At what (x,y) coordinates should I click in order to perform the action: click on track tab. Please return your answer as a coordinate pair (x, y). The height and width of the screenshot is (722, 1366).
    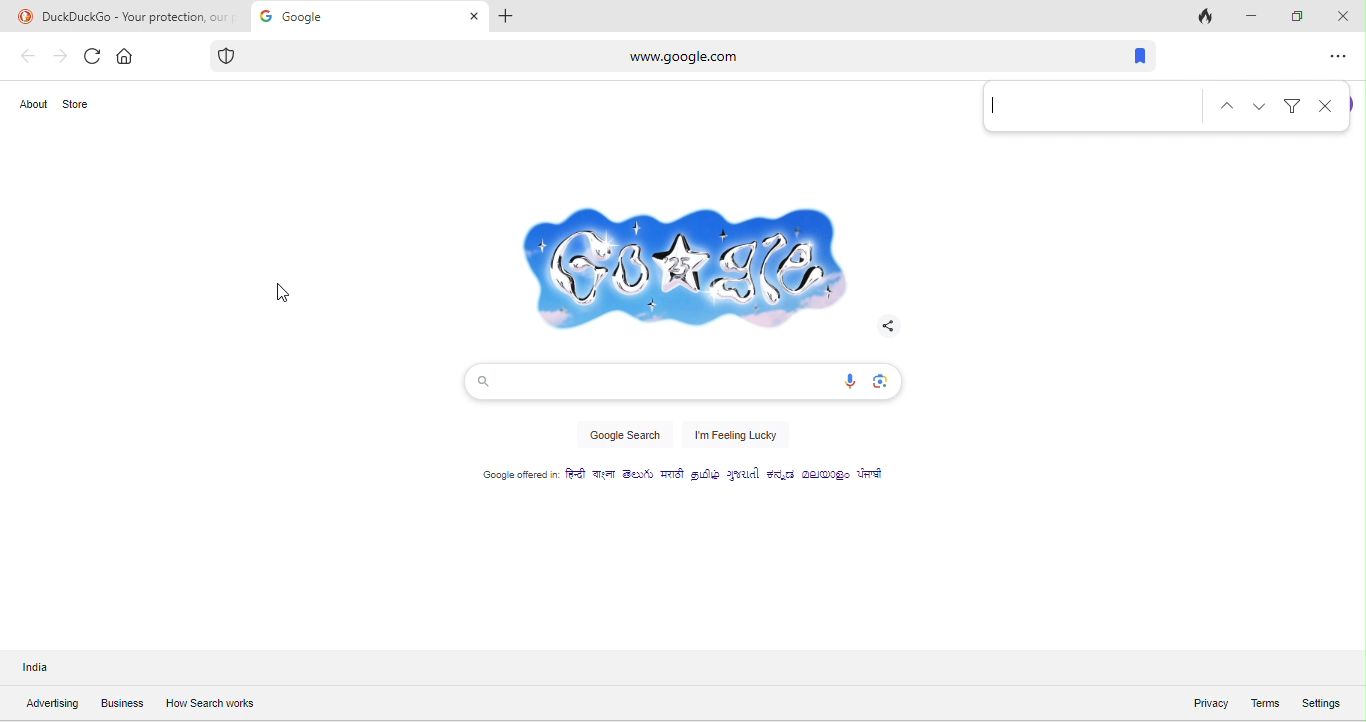
    Looking at the image, I should click on (1207, 18).